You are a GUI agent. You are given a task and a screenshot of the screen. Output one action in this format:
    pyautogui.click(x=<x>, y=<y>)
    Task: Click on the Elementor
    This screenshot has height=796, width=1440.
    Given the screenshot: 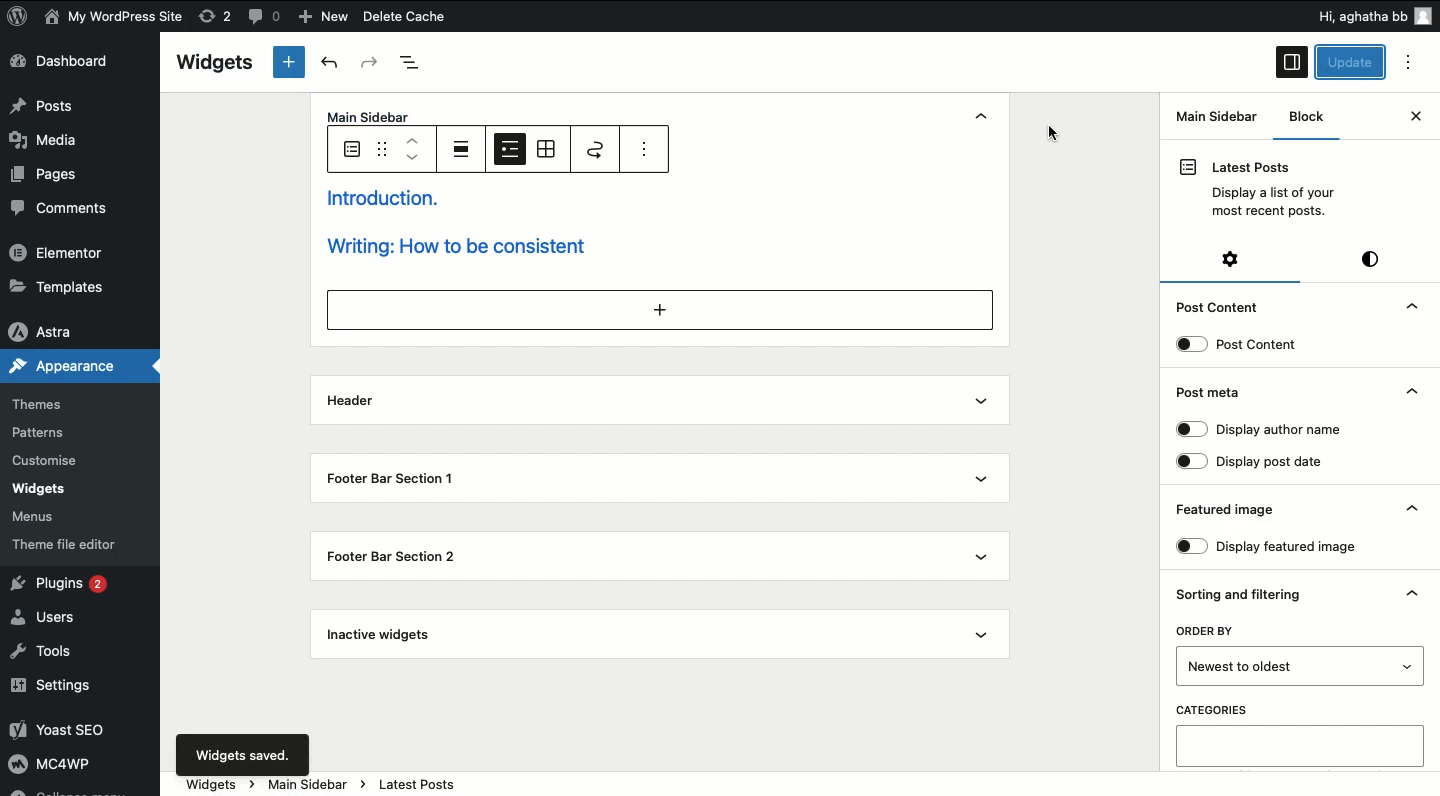 What is the action you would take?
    pyautogui.click(x=58, y=250)
    